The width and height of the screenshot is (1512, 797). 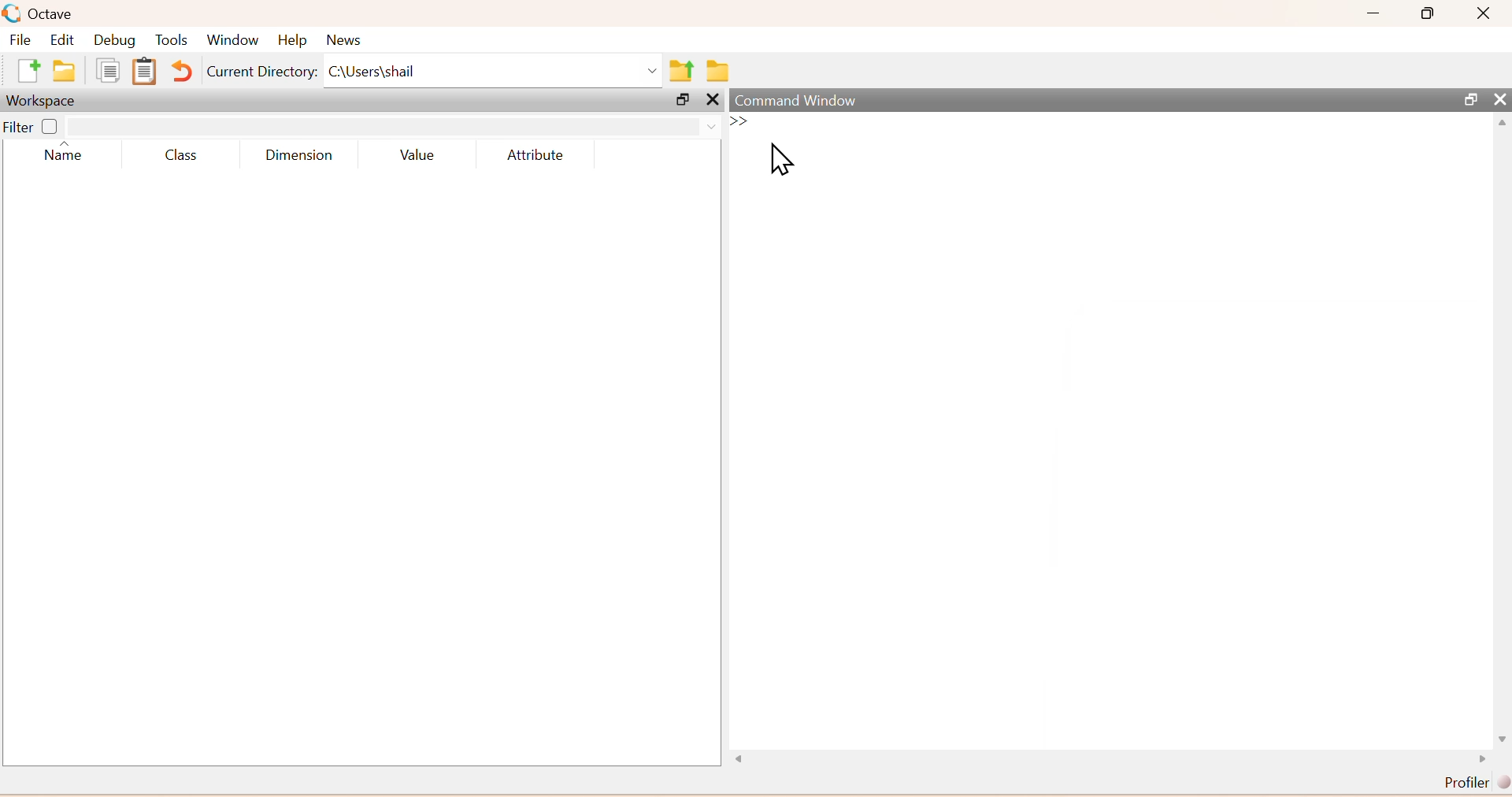 What do you see at coordinates (1483, 760) in the screenshot?
I see `scroll right` at bounding box center [1483, 760].